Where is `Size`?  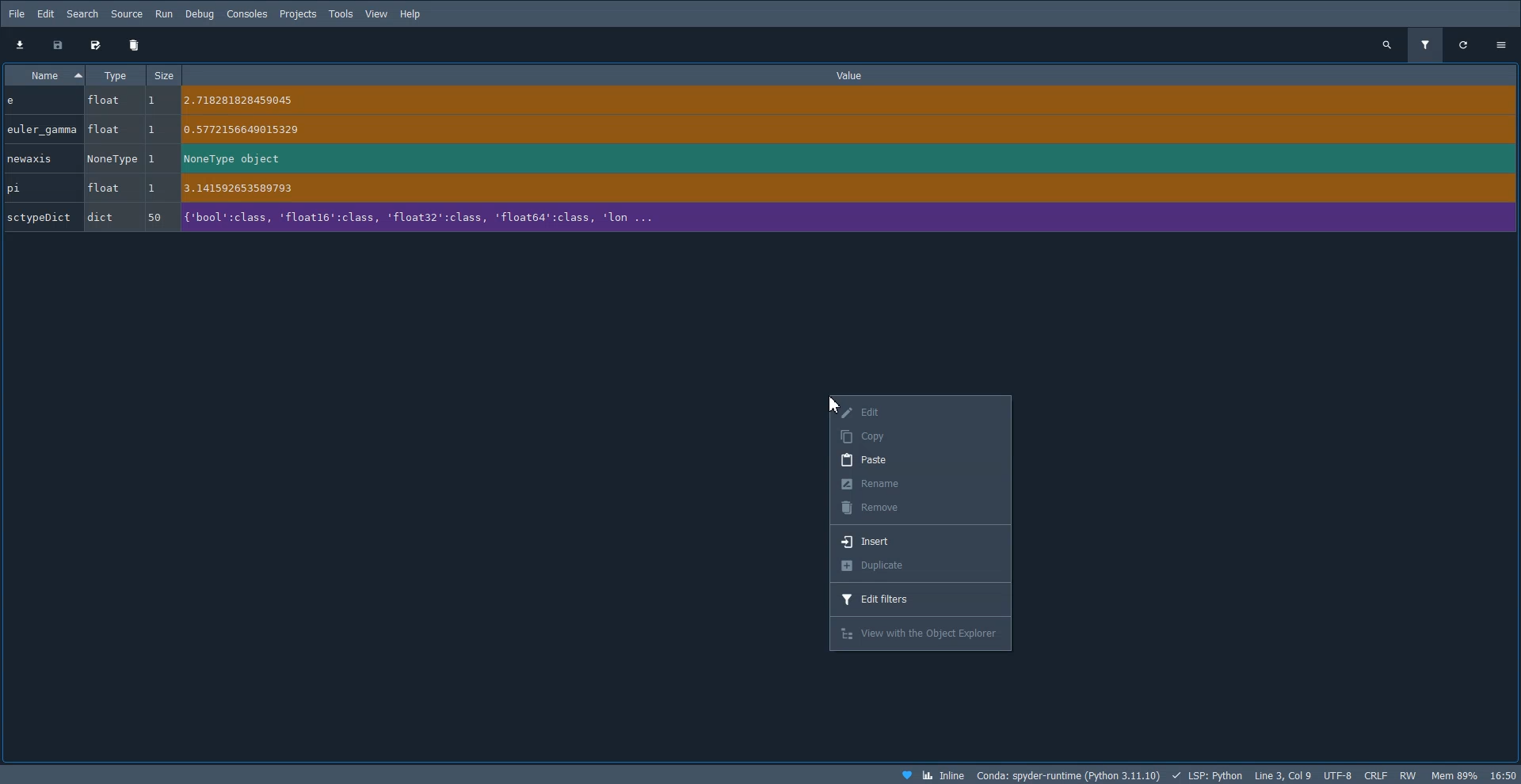
Size is located at coordinates (163, 74).